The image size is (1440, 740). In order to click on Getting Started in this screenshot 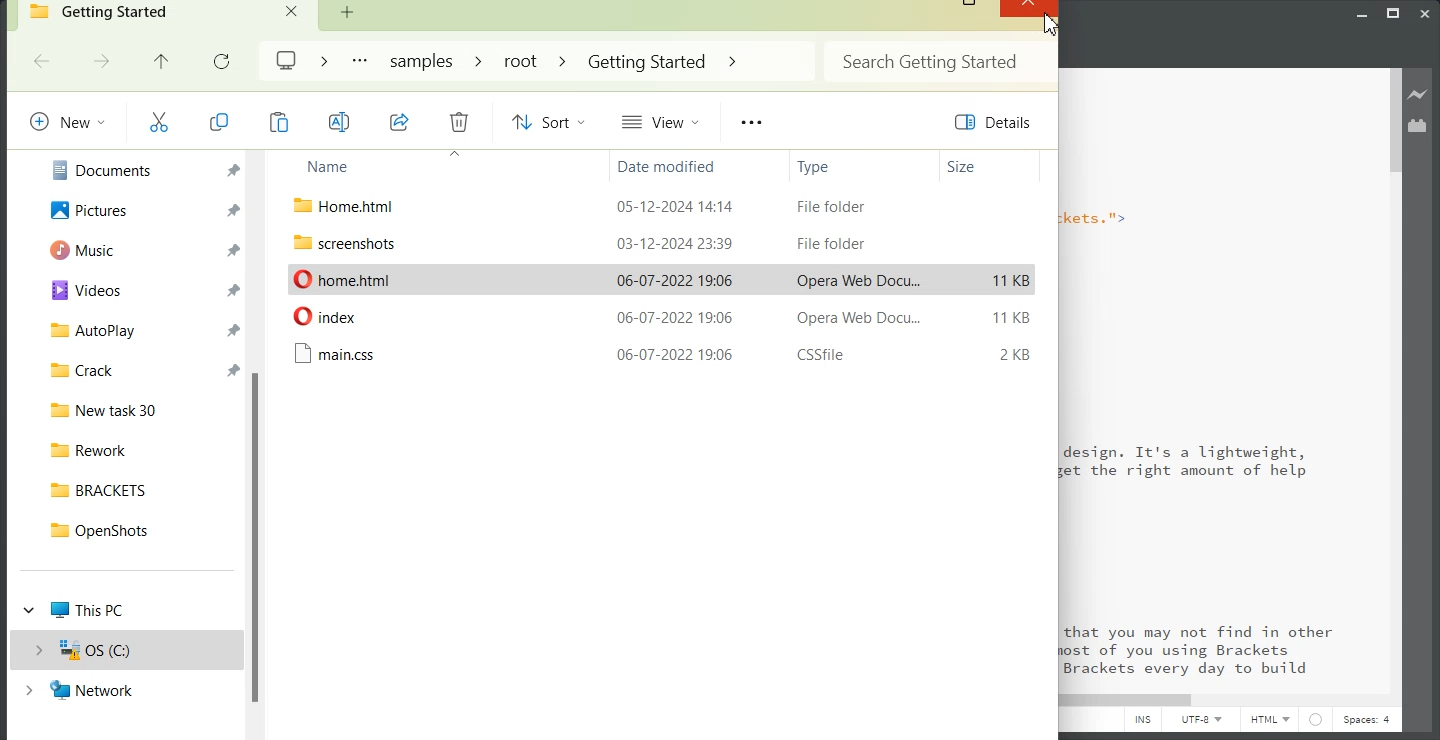, I will do `click(647, 62)`.